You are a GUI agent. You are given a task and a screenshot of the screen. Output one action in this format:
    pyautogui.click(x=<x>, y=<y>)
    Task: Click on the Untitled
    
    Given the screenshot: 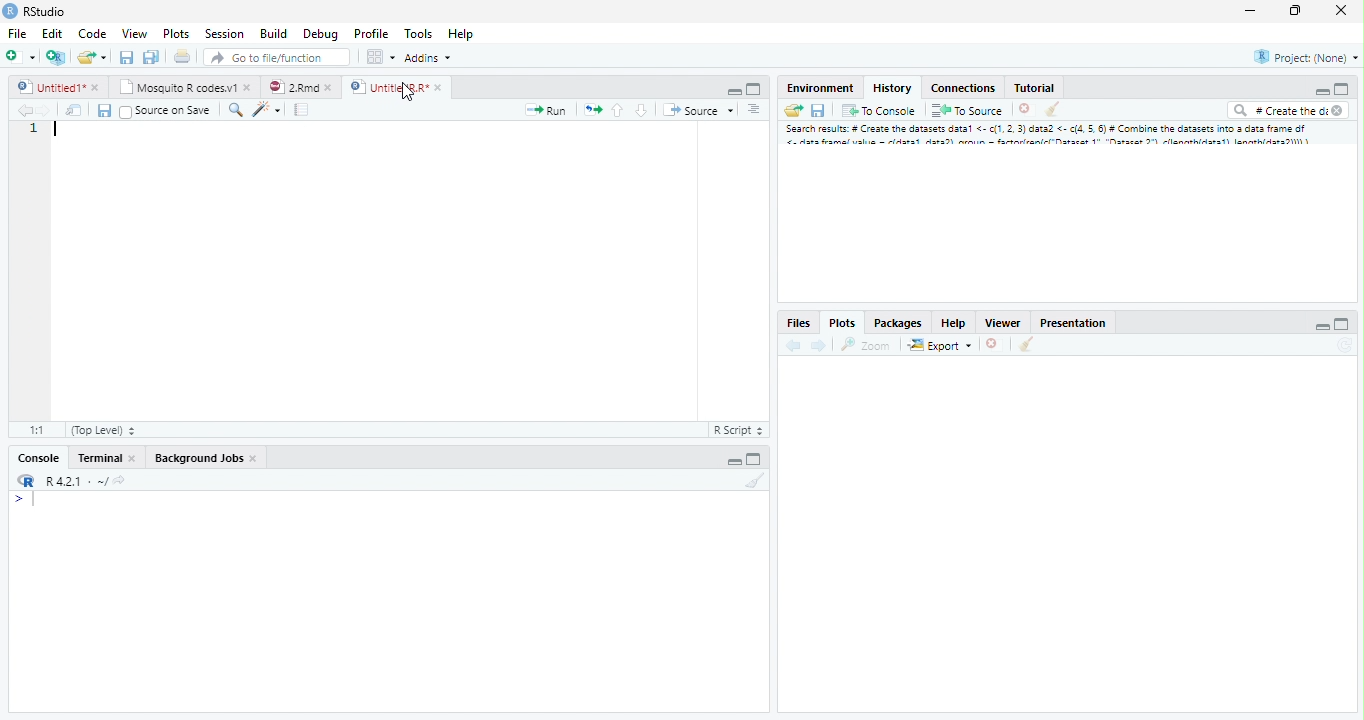 What is the action you would take?
    pyautogui.click(x=61, y=85)
    